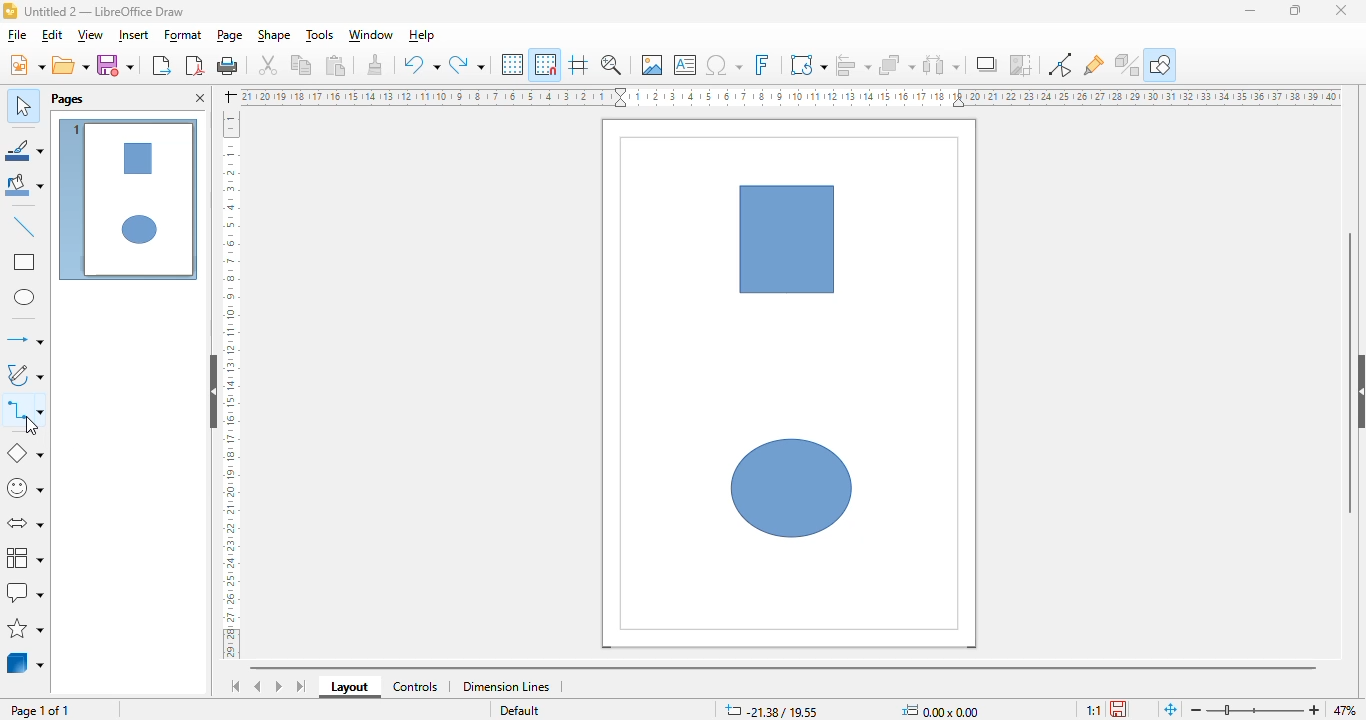  I want to click on line color, so click(24, 150).